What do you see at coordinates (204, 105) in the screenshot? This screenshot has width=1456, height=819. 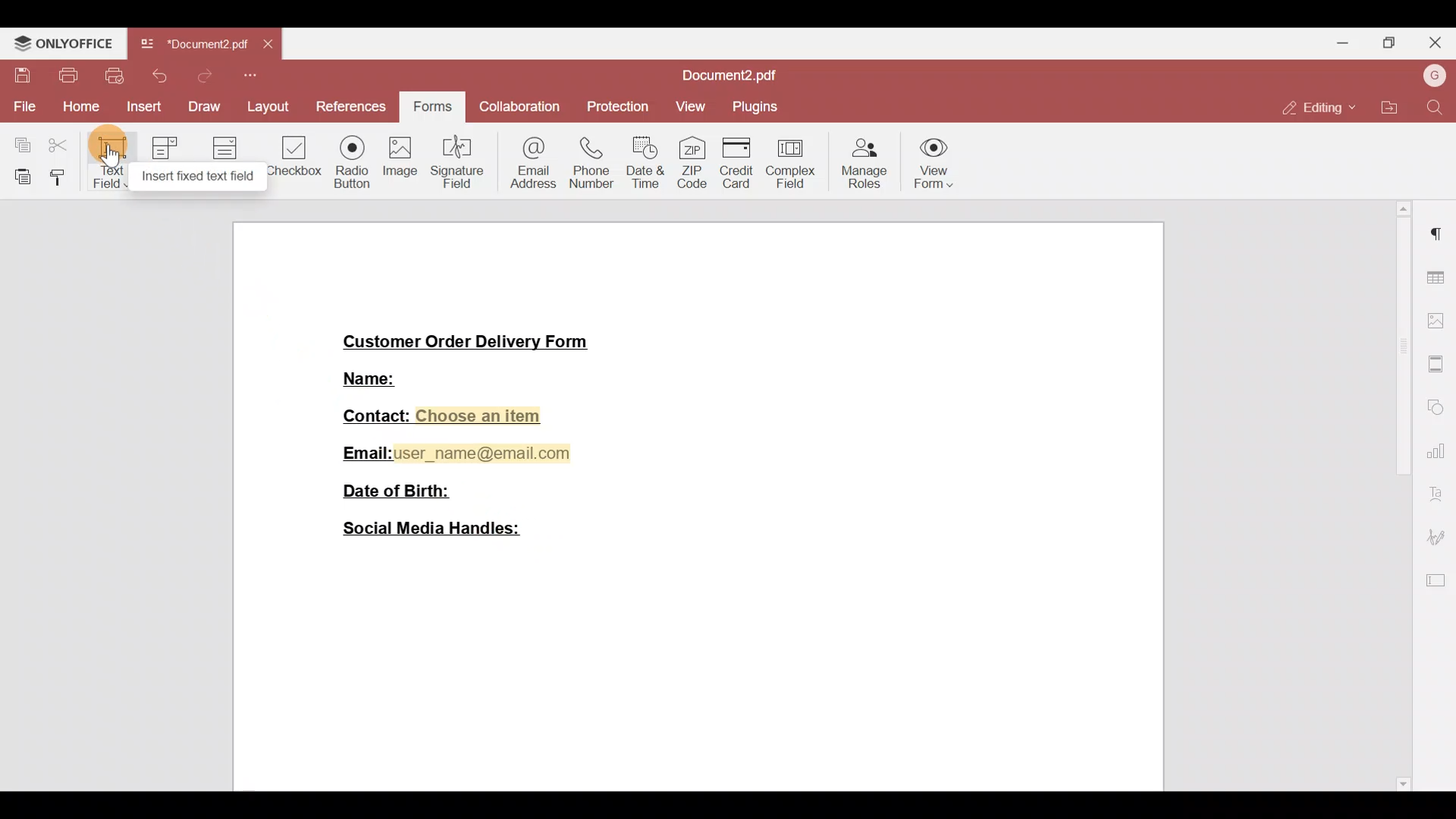 I see `Draw` at bounding box center [204, 105].